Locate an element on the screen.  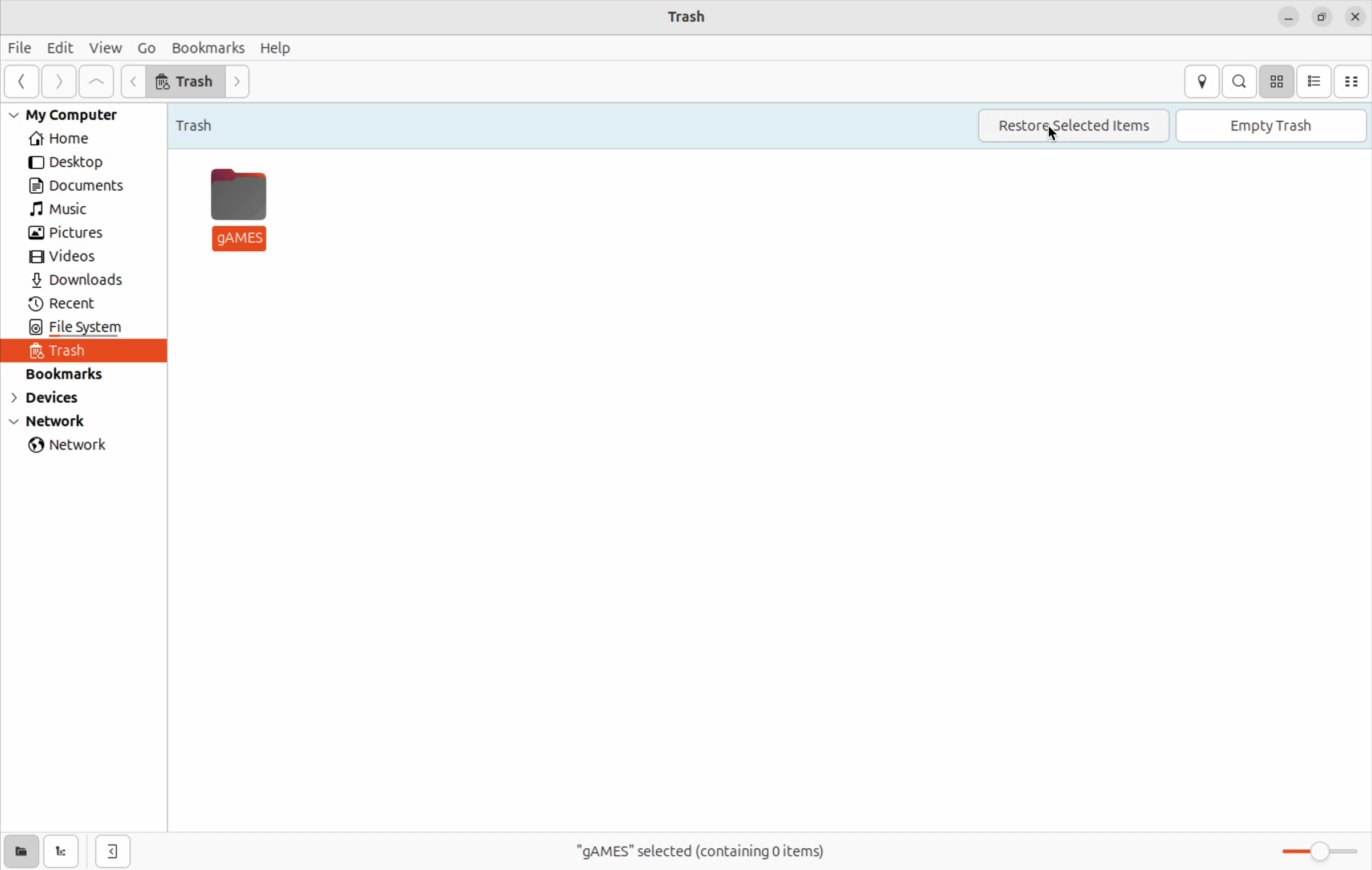
location is located at coordinates (1201, 81).